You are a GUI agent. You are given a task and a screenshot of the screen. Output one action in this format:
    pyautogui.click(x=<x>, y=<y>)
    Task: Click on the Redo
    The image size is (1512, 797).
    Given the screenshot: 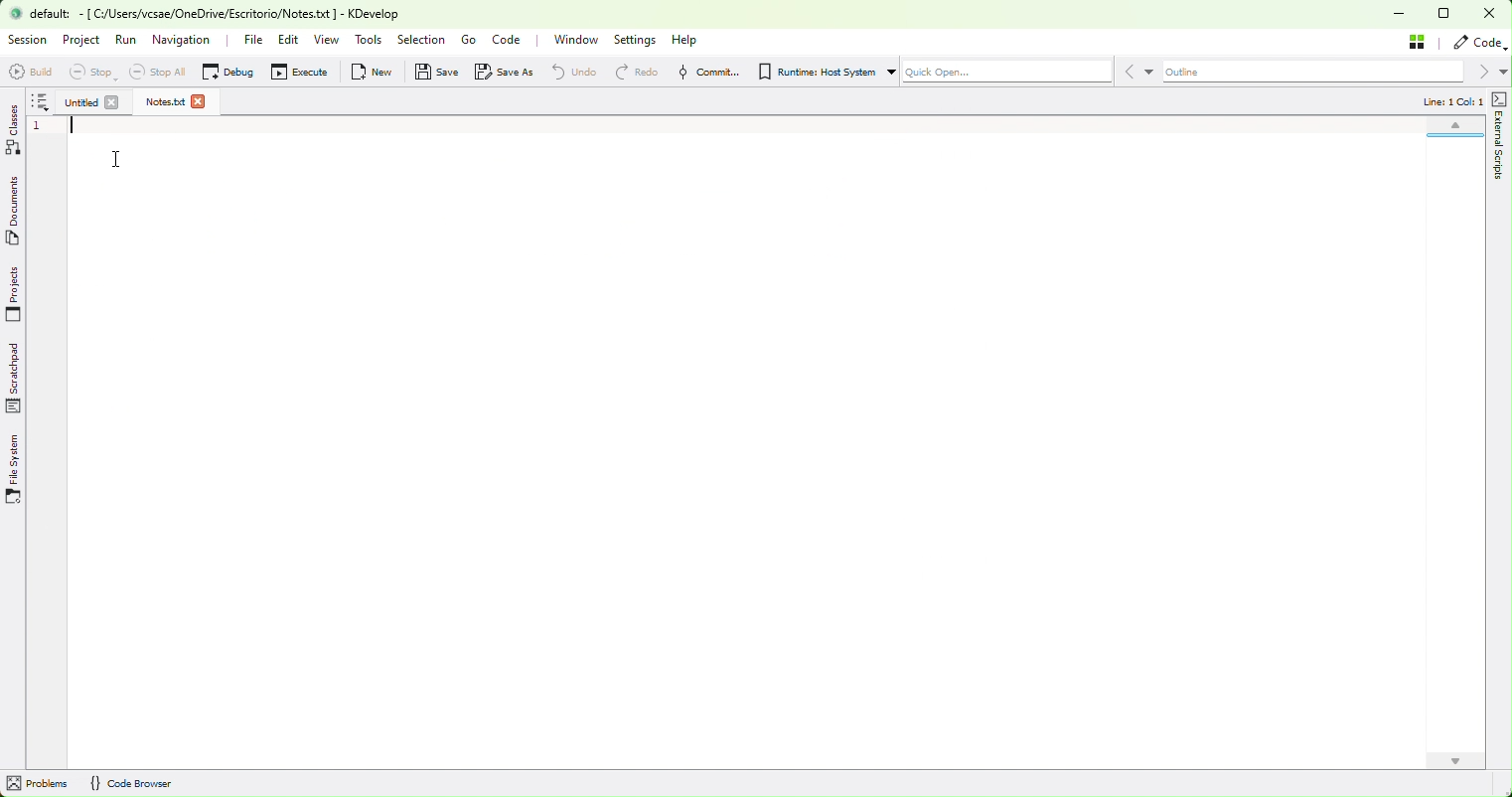 What is the action you would take?
    pyautogui.click(x=632, y=72)
    